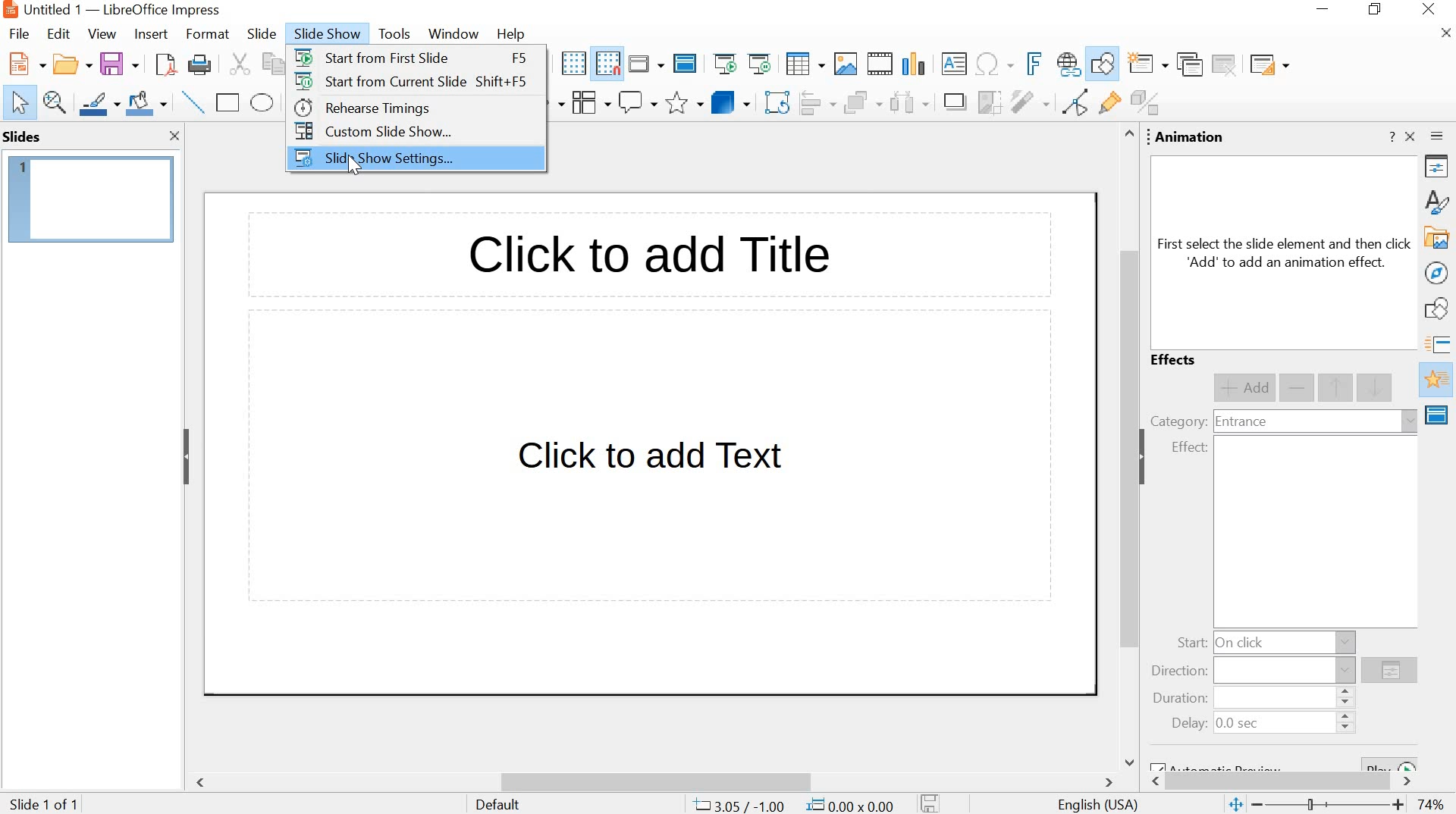  Describe the element at coordinates (499, 804) in the screenshot. I see `default` at that location.